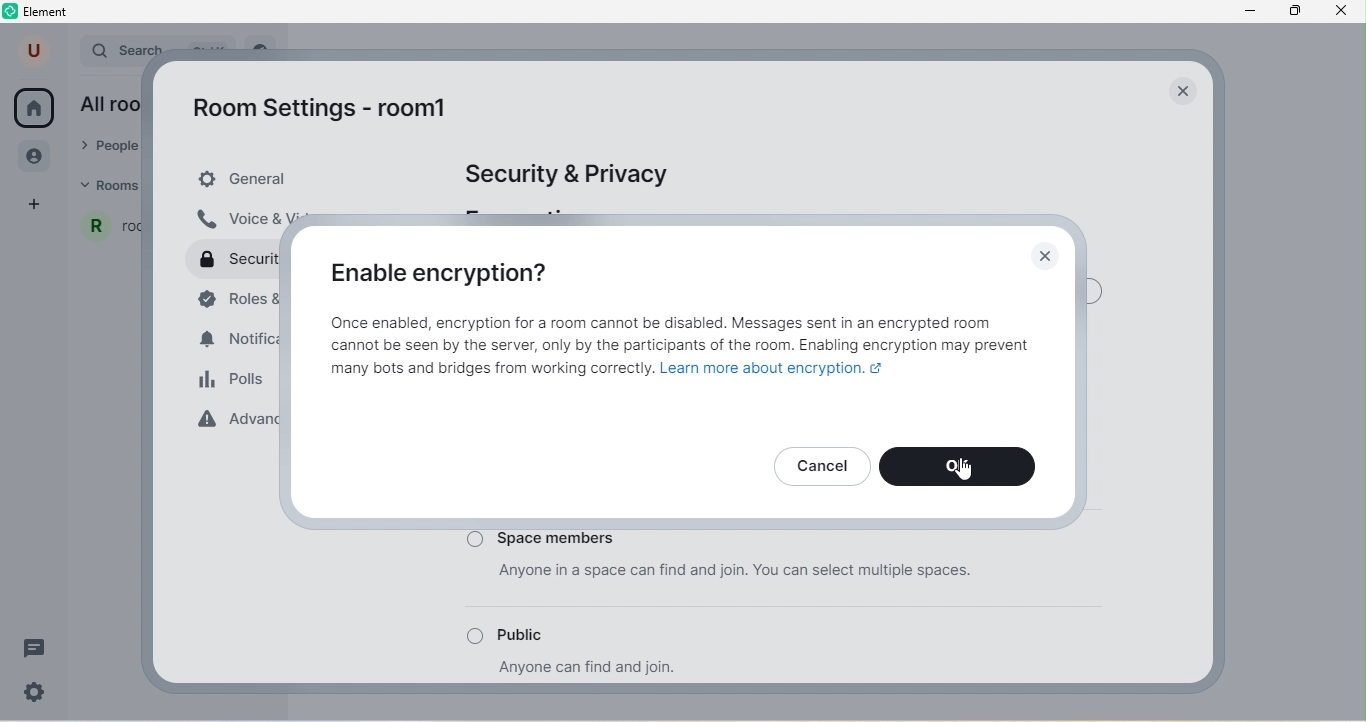  I want to click on threads, so click(33, 646).